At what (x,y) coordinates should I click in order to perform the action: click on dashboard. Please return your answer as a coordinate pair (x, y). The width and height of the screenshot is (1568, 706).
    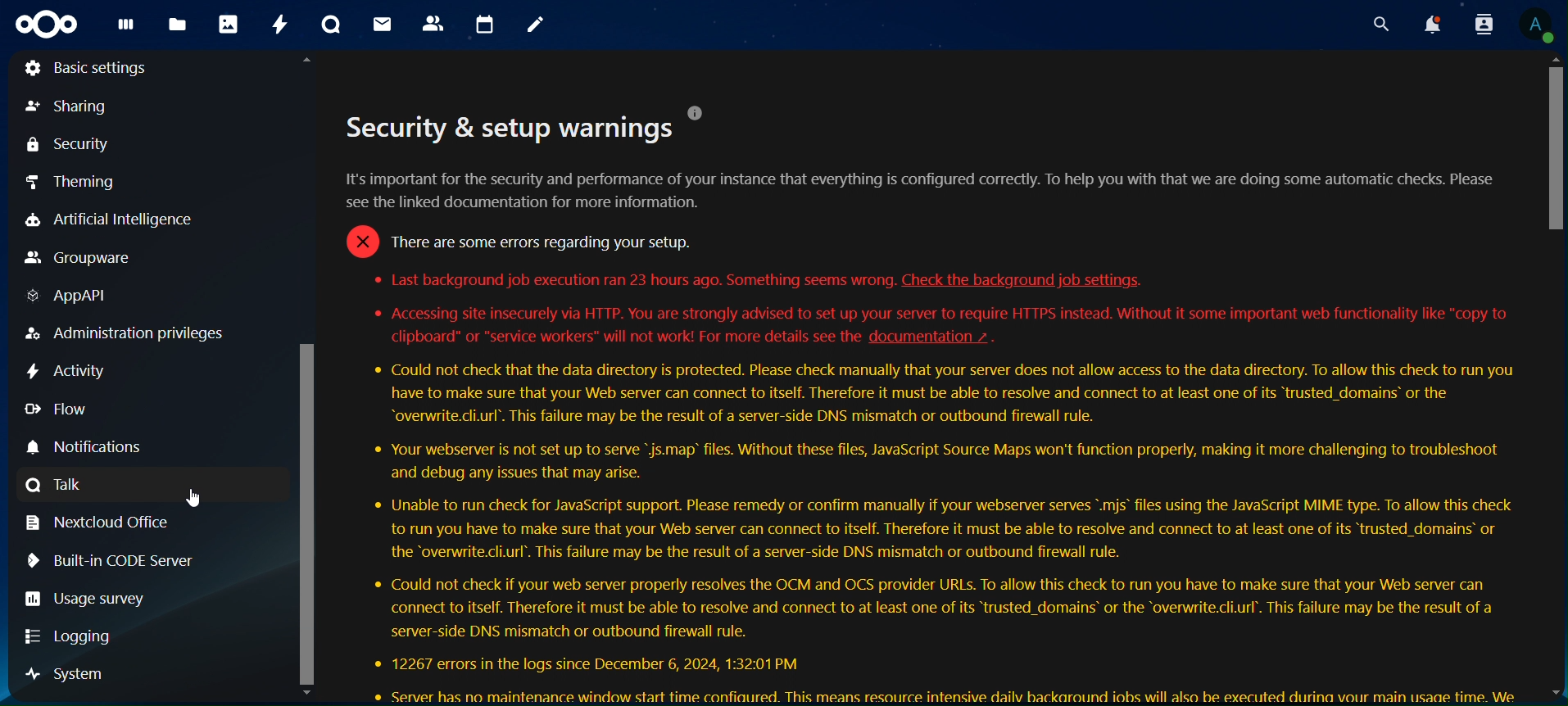
    Looking at the image, I should click on (125, 29).